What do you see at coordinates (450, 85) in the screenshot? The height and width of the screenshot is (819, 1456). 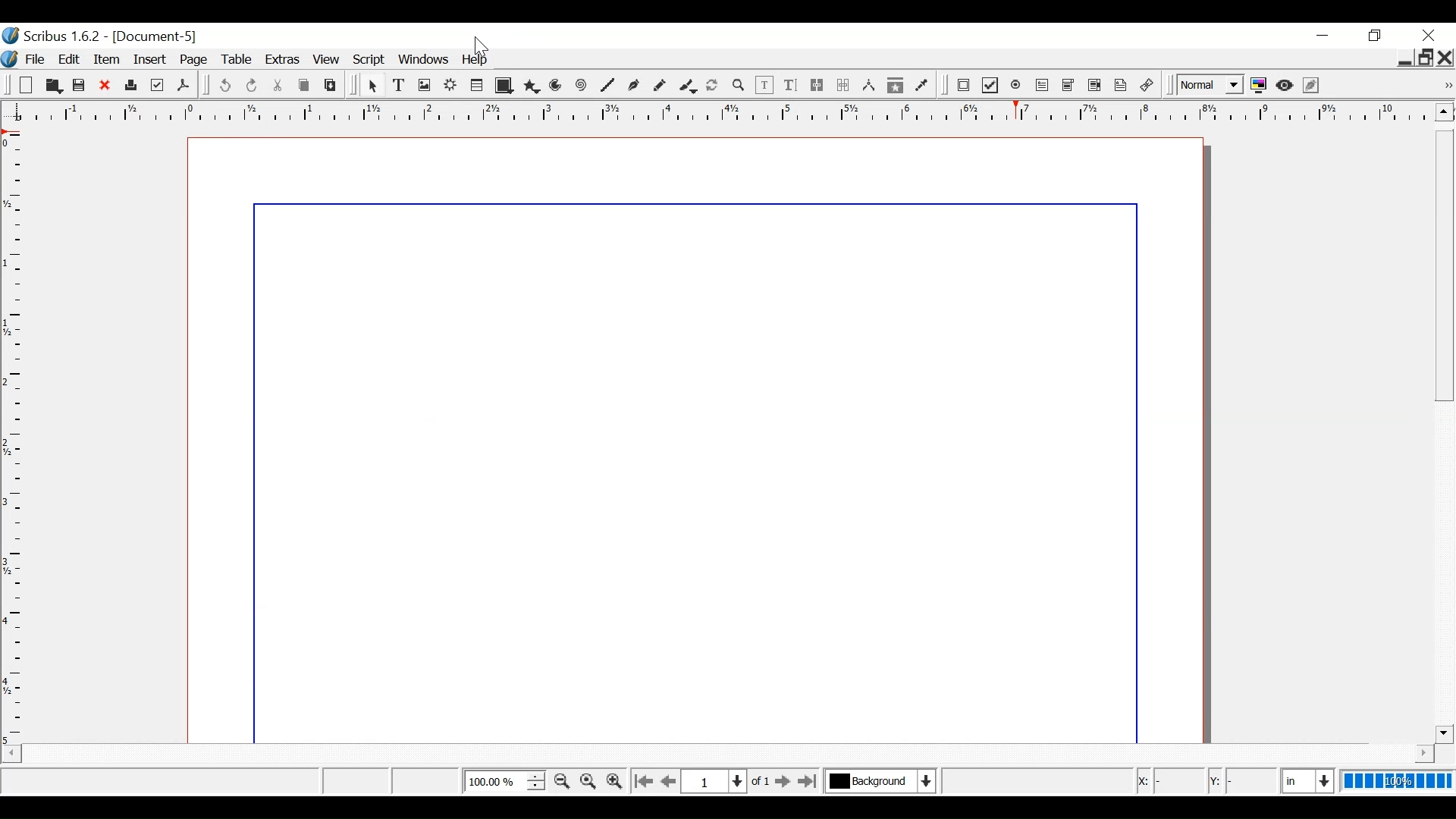 I see `Render frame` at bounding box center [450, 85].